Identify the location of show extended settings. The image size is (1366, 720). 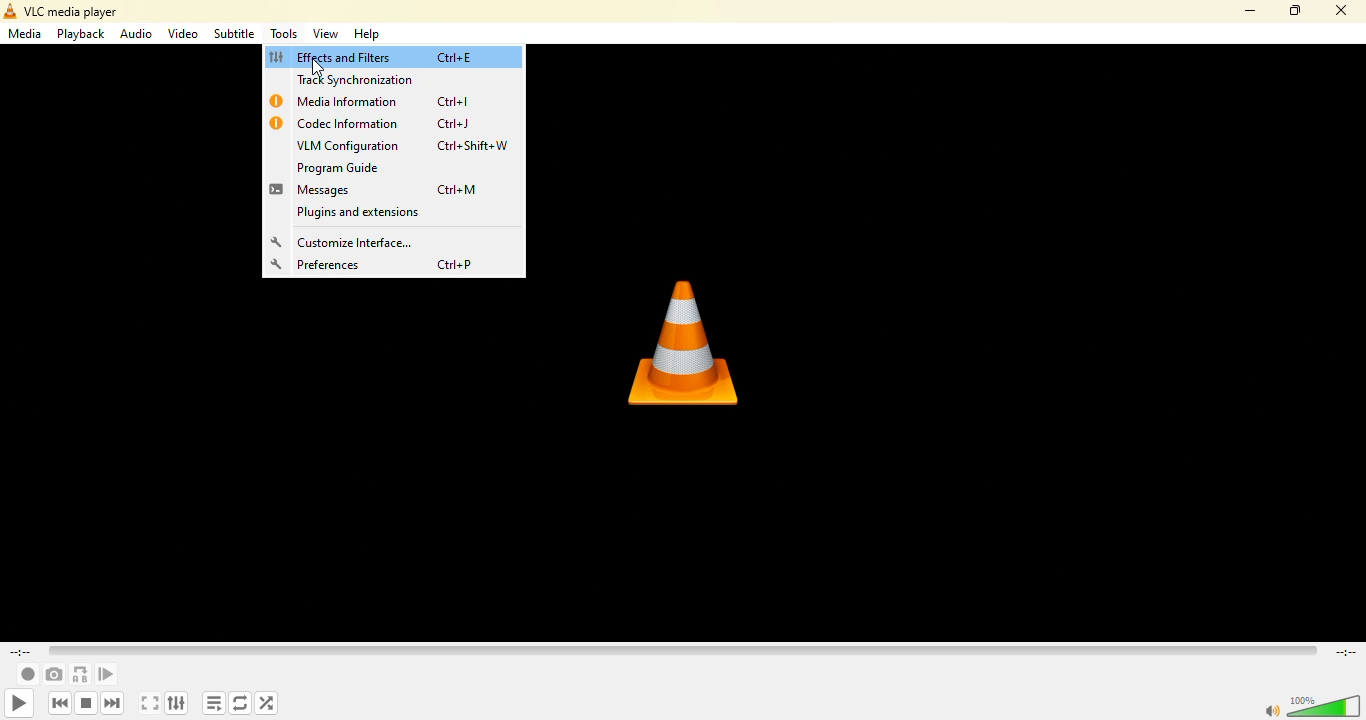
(176, 703).